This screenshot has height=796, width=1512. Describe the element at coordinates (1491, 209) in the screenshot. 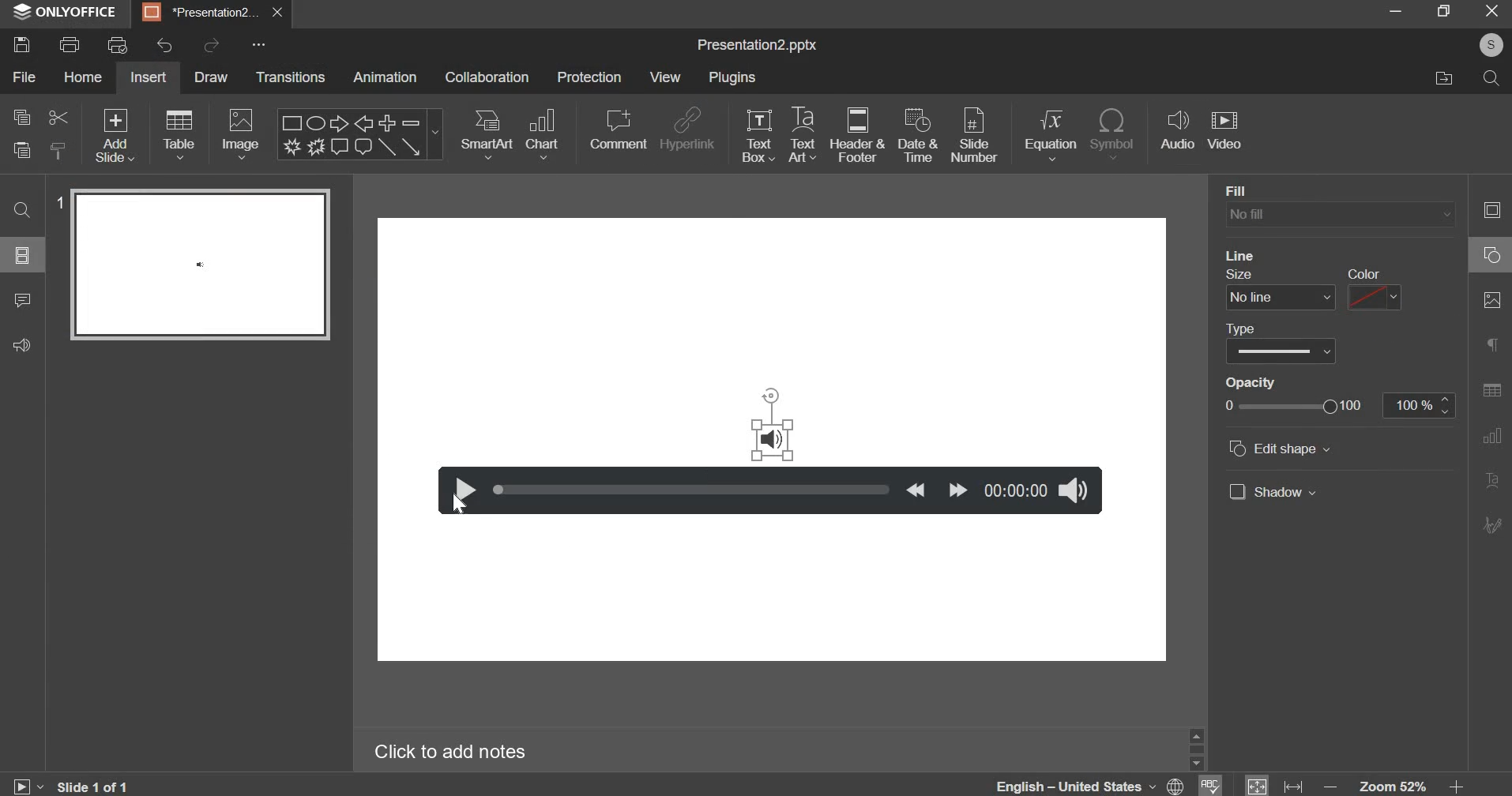

I see `slide settings` at that location.